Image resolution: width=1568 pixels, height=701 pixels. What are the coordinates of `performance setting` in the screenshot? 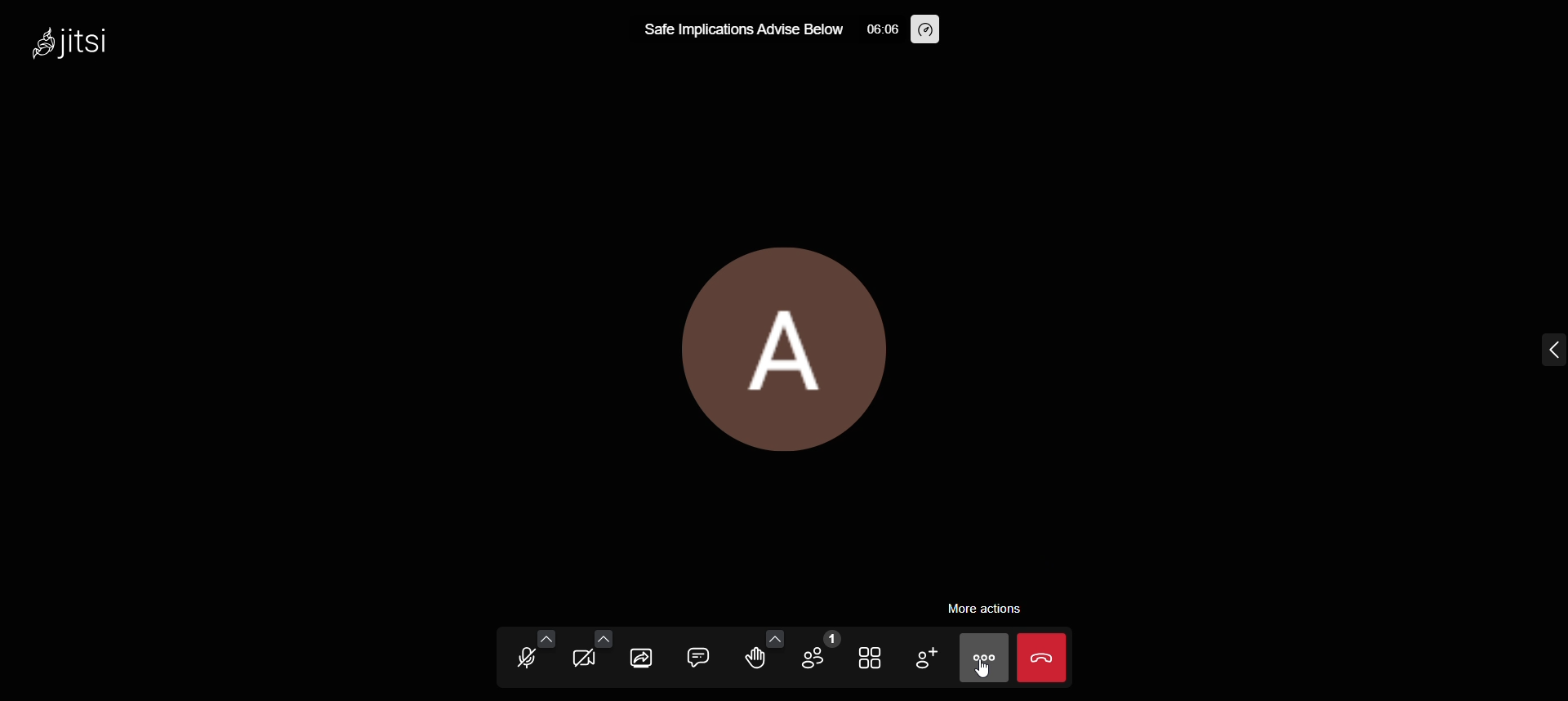 It's located at (926, 29).